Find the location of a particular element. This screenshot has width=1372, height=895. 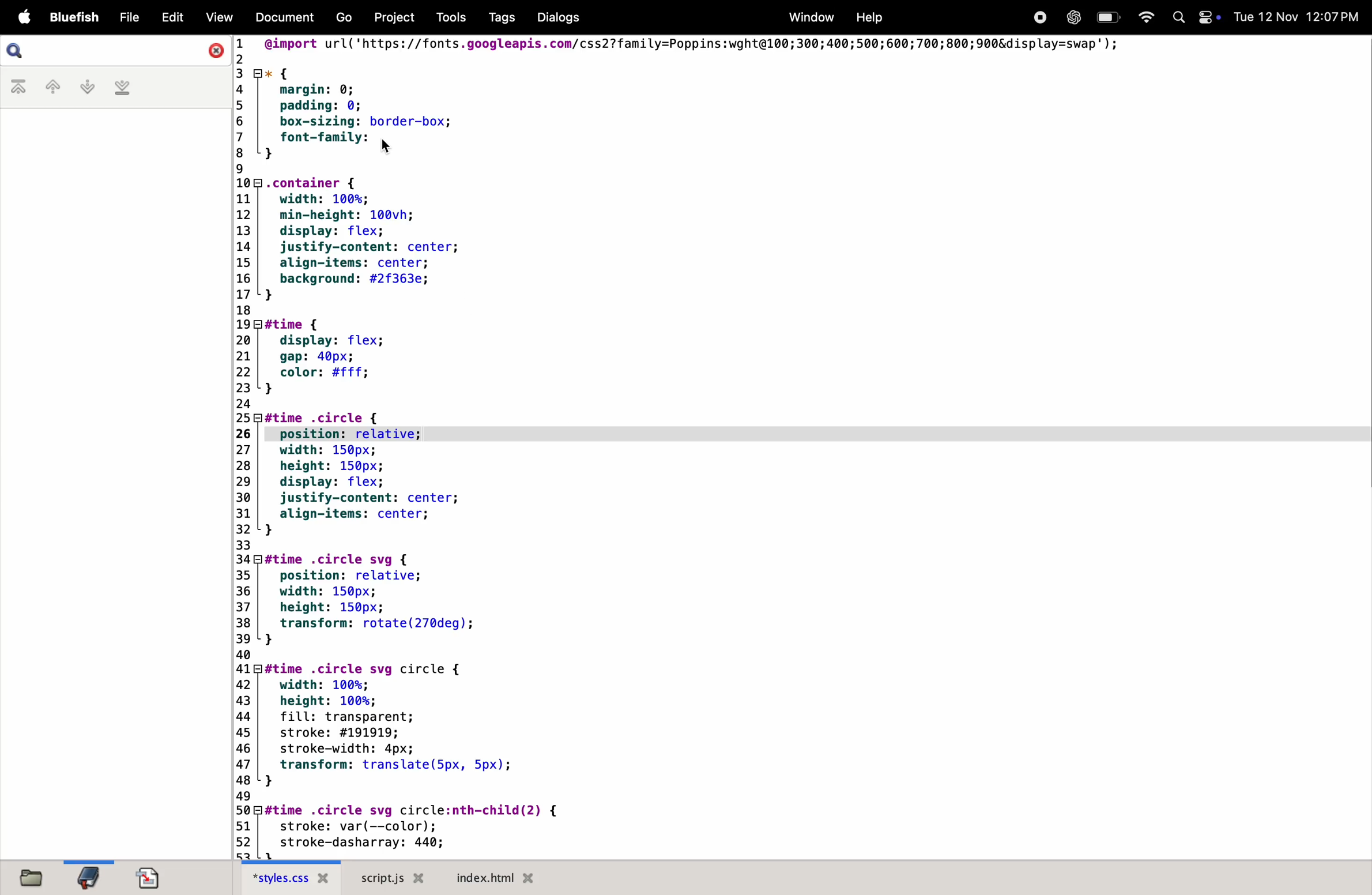

file is located at coordinates (127, 17).